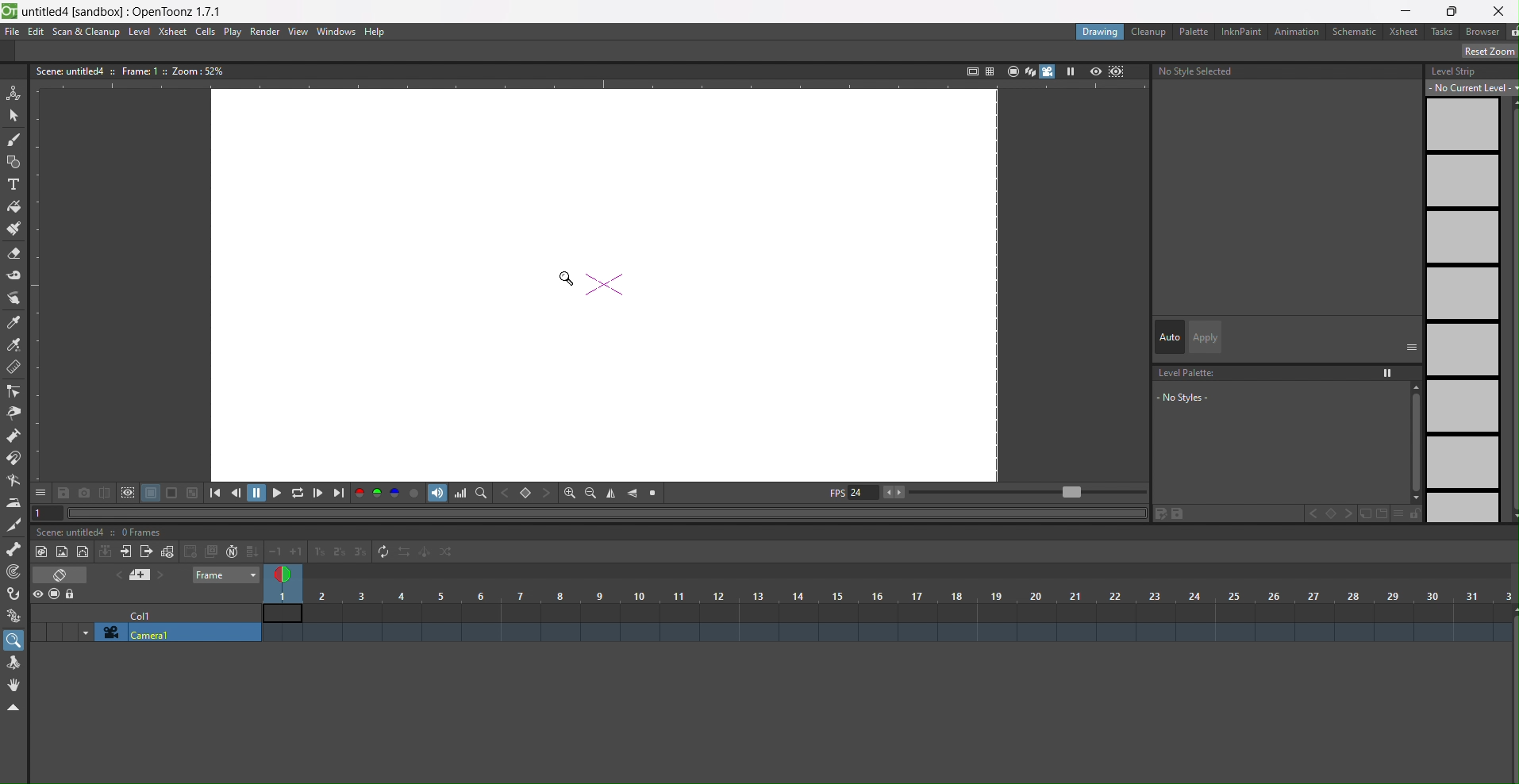 The width and height of the screenshot is (1519, 784). Describe the element at coordinates (285, 575) in the screenshot. I see `frame selector` at that location.